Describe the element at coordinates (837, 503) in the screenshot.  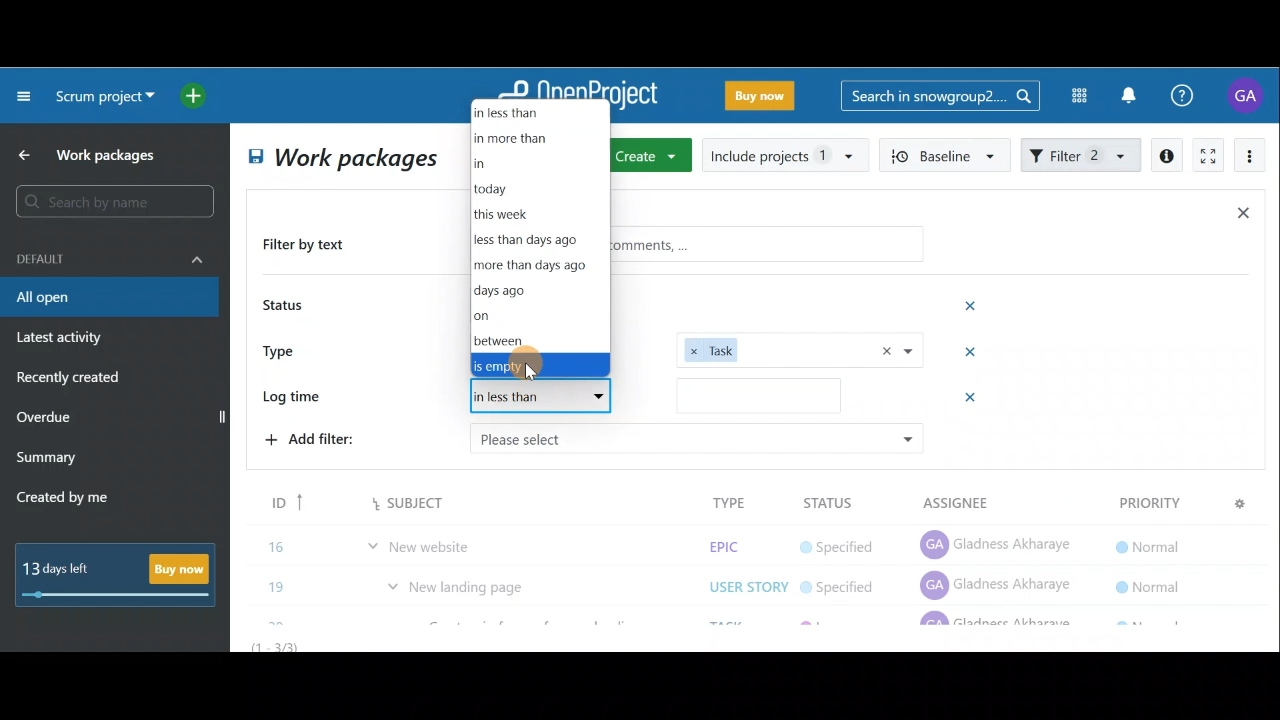
I see `specified` at that location.